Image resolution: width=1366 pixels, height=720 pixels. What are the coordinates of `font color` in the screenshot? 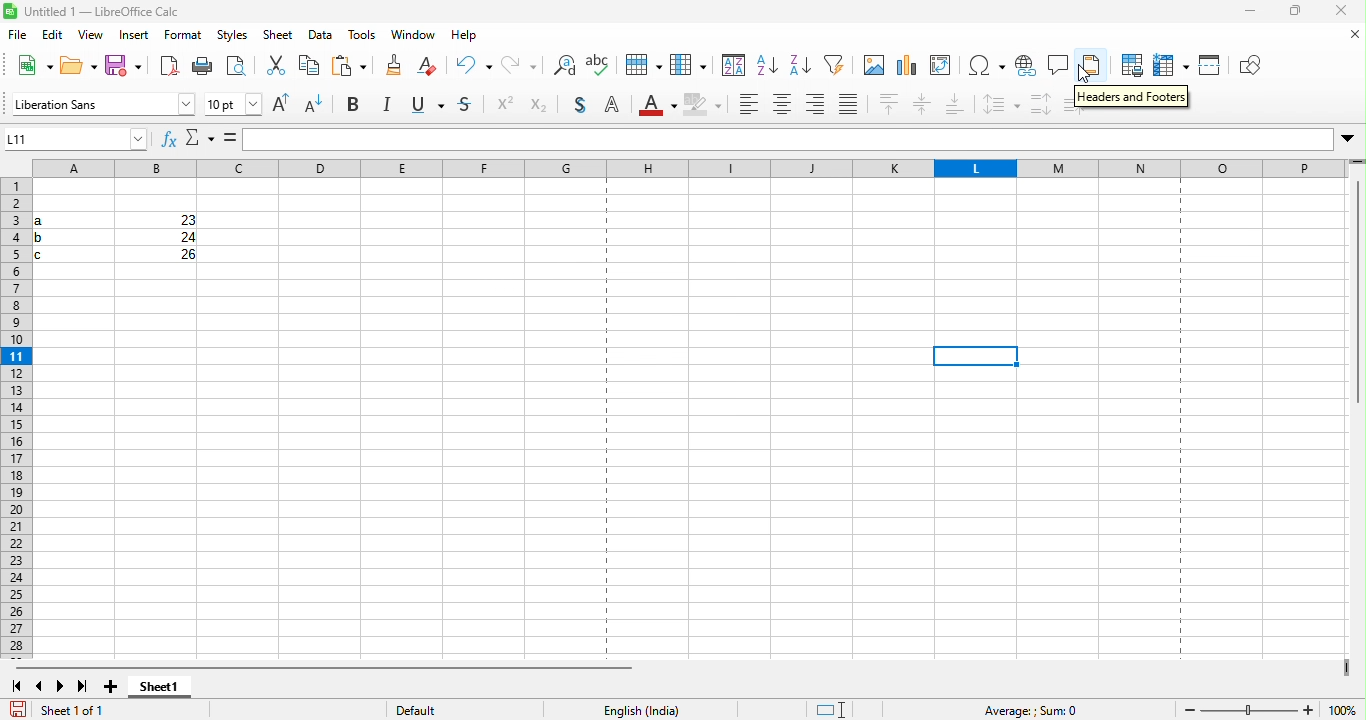 It's located at (660, 106).